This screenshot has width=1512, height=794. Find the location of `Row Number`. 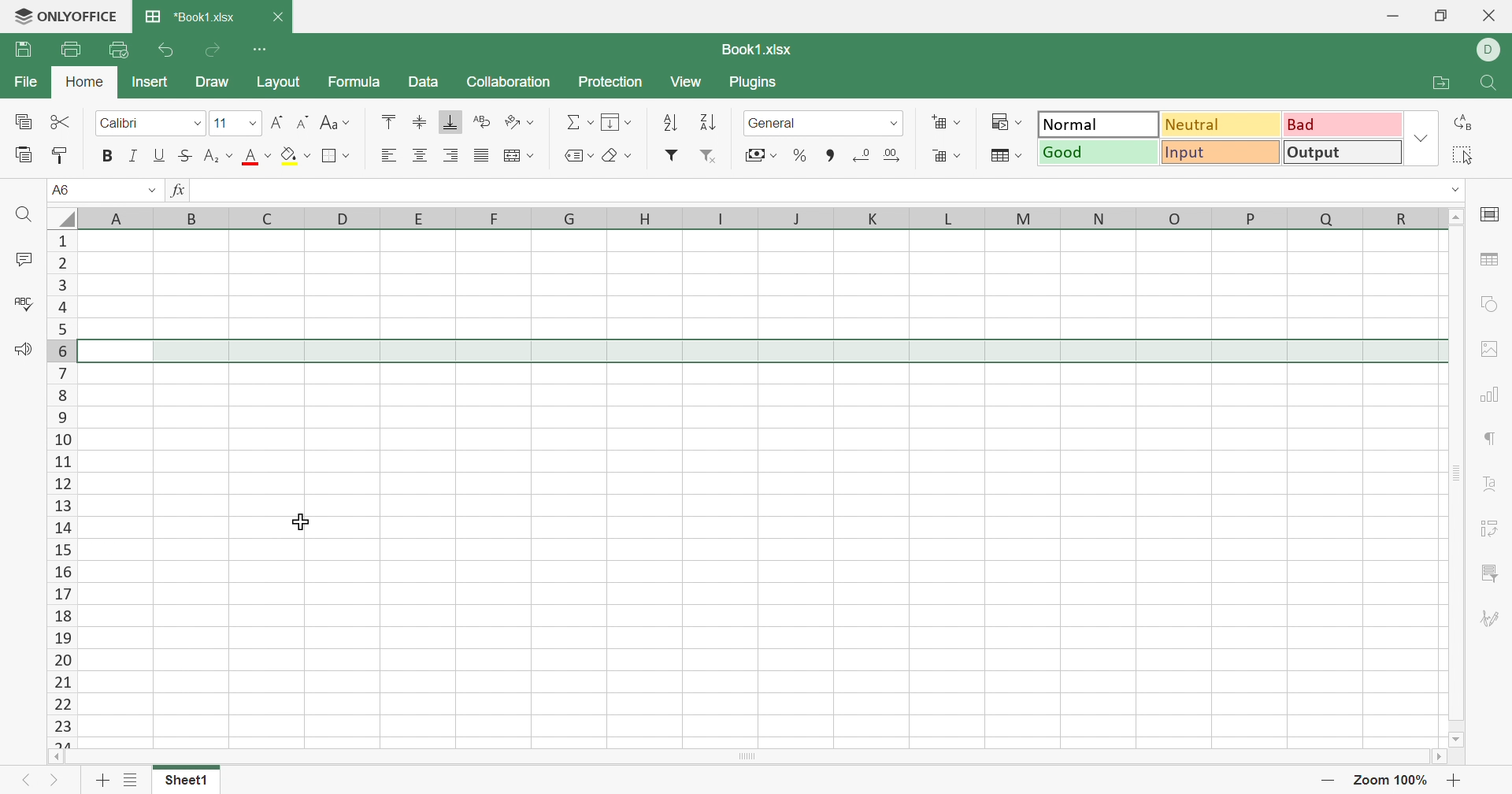

Row Number is located at coordinates (60, 485).